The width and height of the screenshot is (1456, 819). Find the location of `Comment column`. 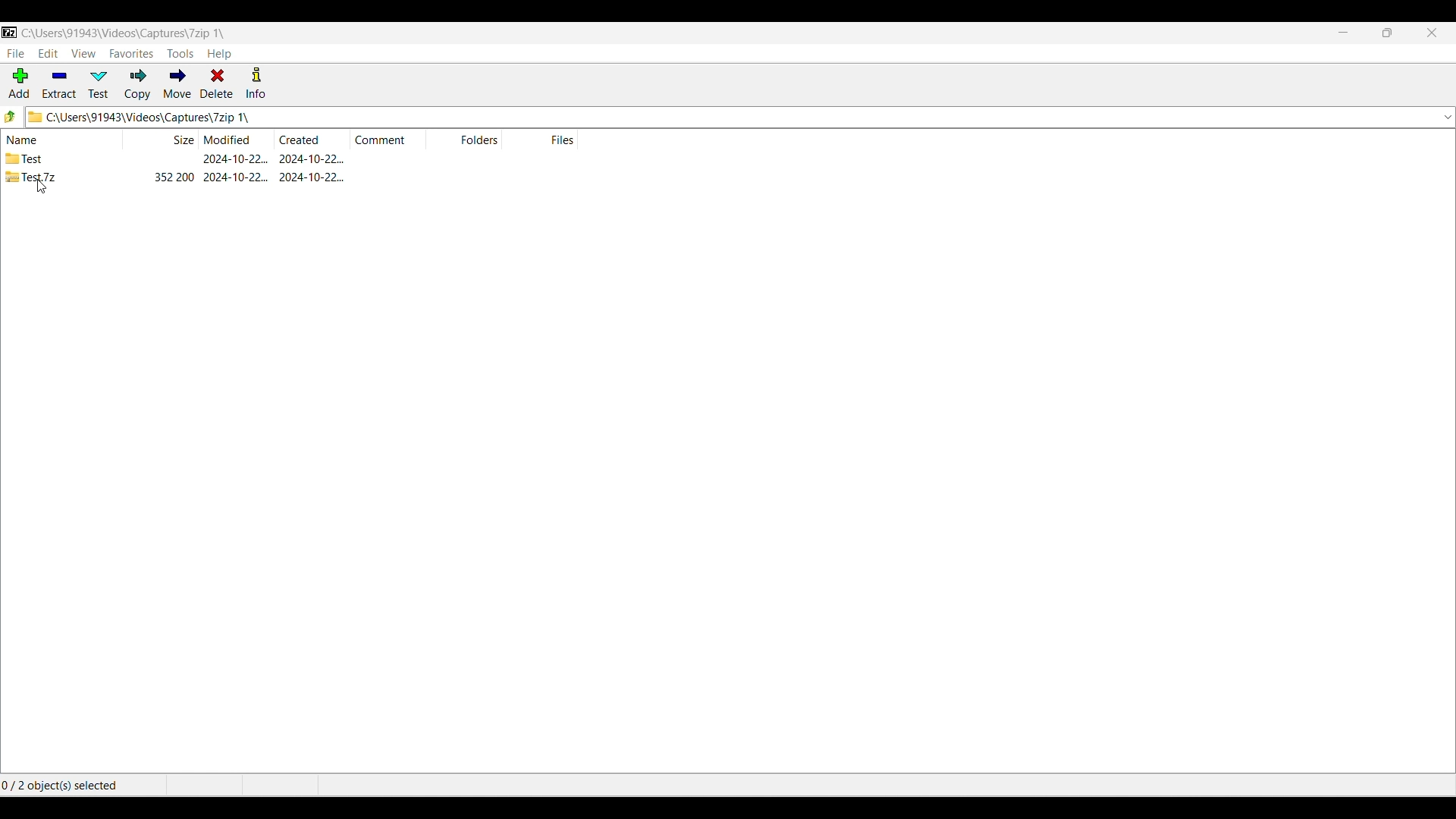

Comment column is located at coordinates (387, 138).